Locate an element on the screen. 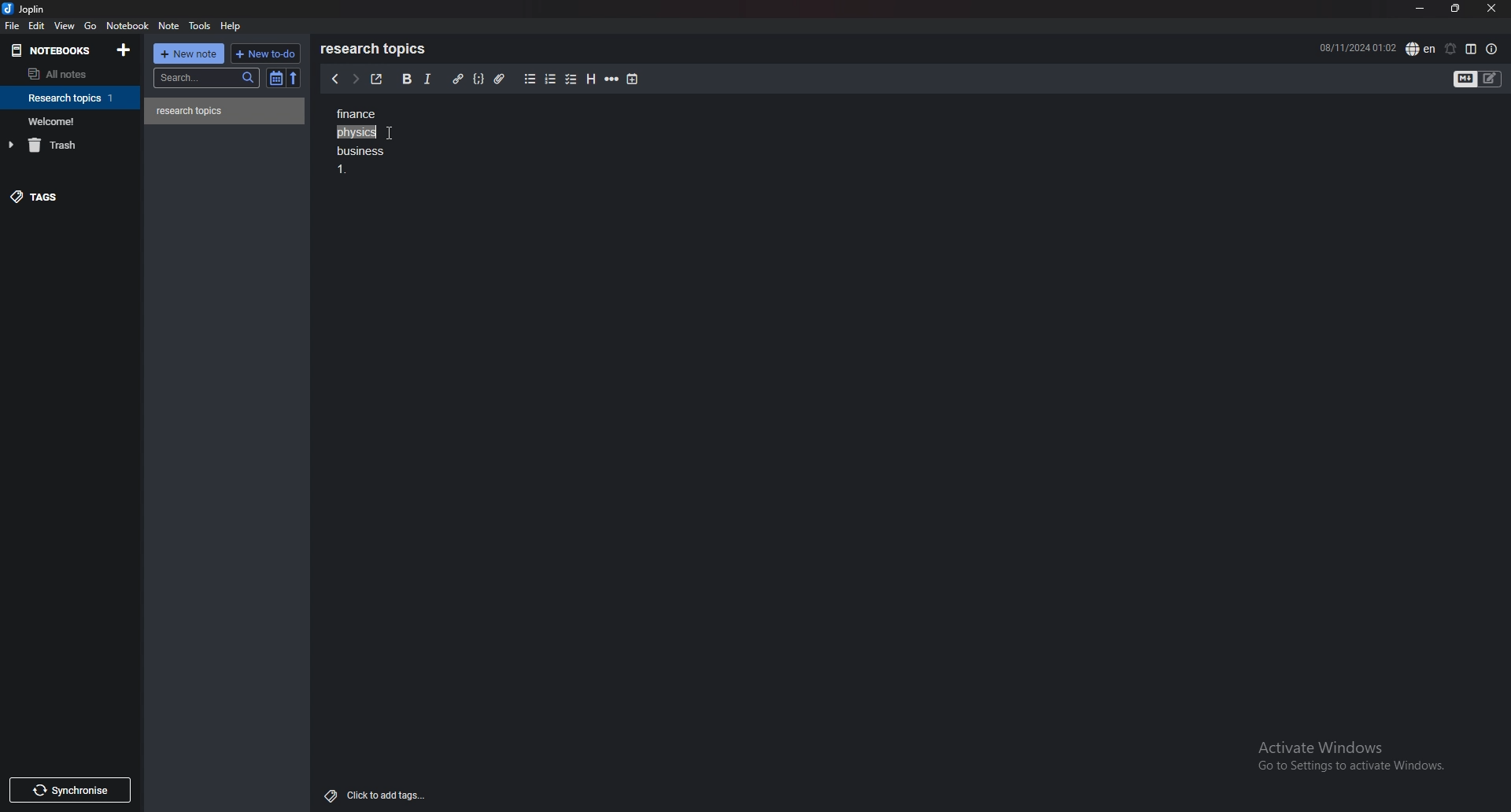  research topics is located at coordinates (376, 49).